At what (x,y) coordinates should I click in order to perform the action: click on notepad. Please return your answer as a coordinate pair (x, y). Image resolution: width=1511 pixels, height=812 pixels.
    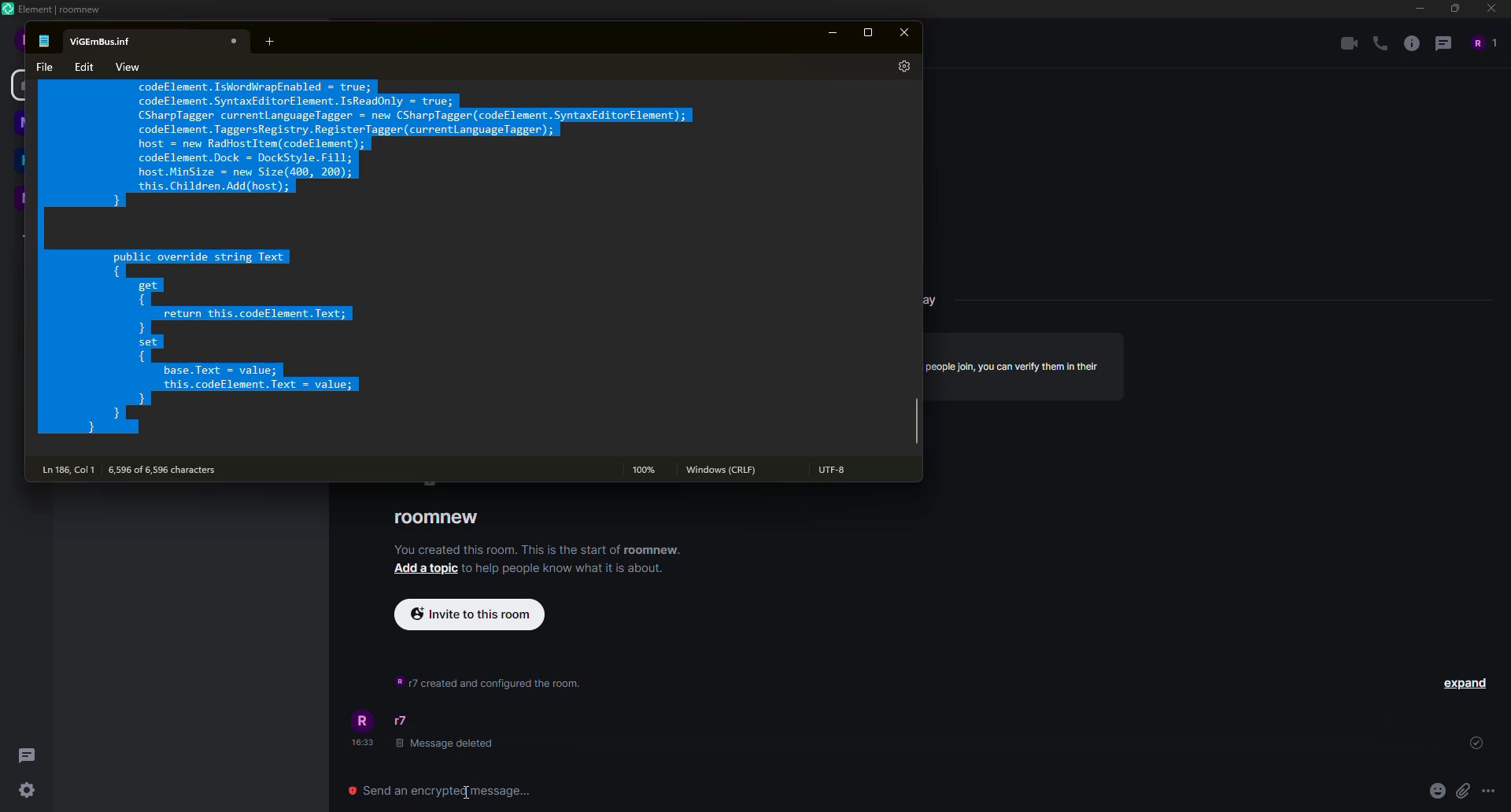
    Looking at the image, I should click on (46, 39).